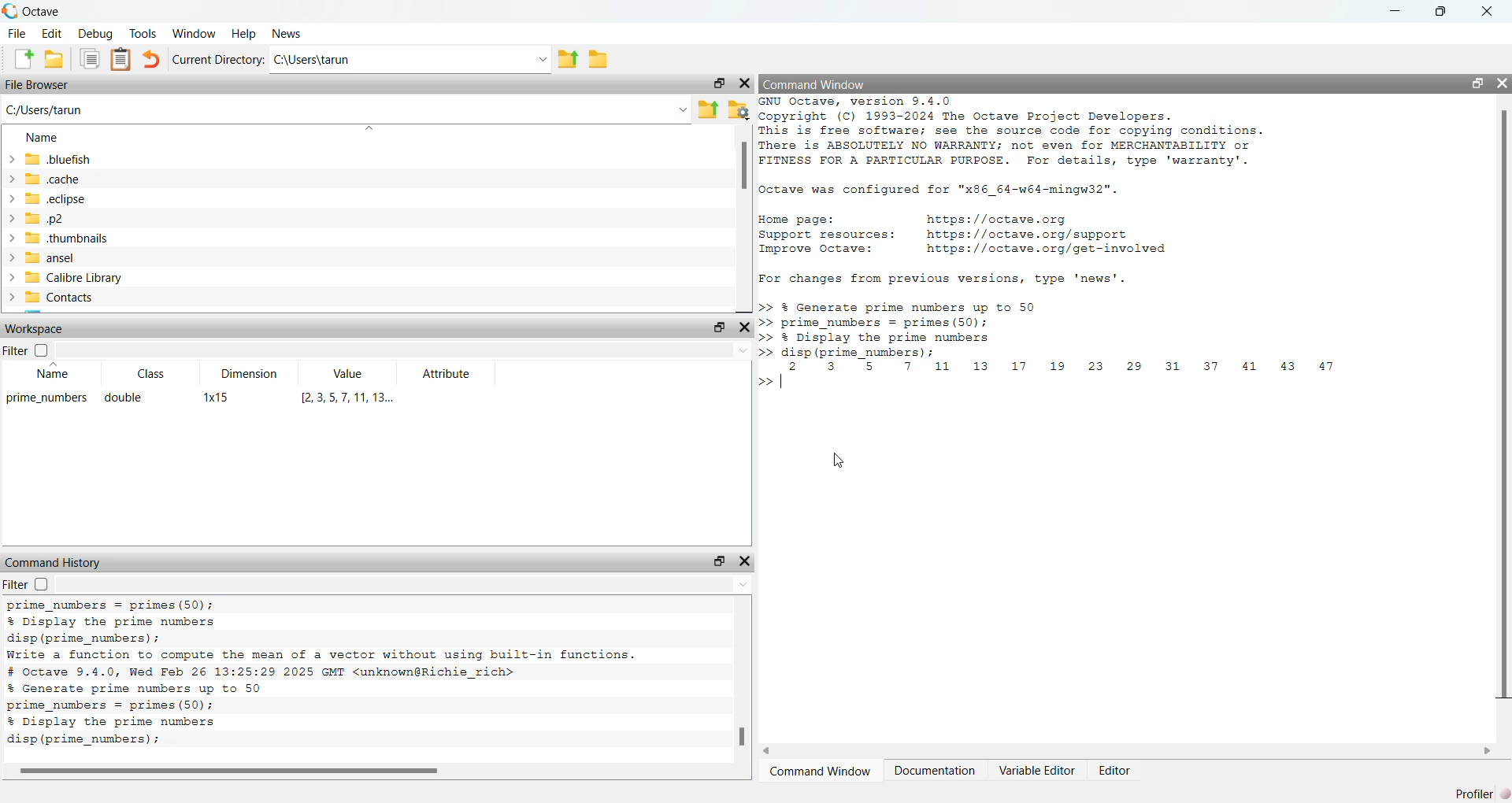 This screenshot has height=803, width=1512. What do you see at coordinates (75, 278) in the screenshot?
I see `calibre library` at bounding box center [75, 278].